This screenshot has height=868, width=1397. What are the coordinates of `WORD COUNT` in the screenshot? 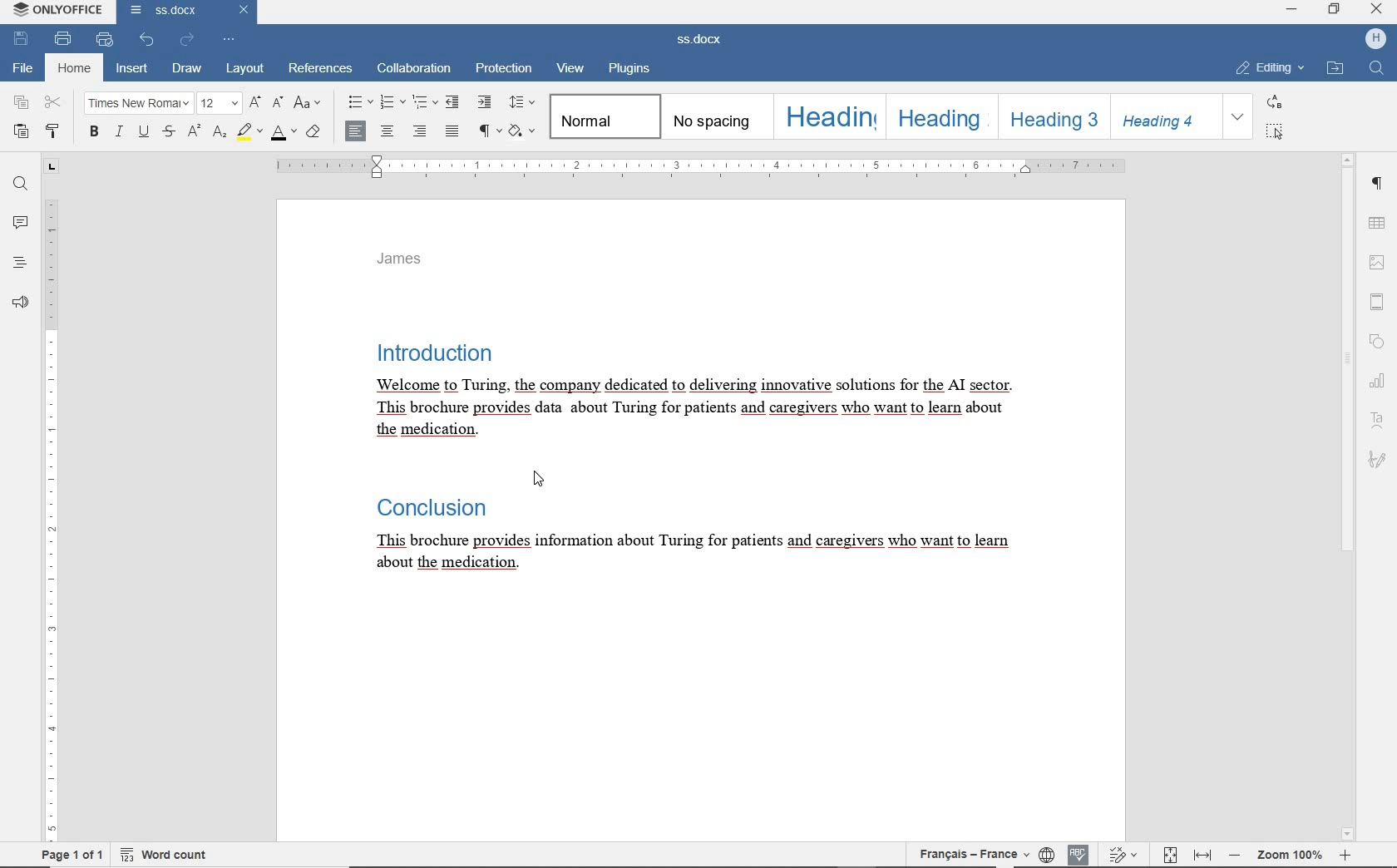 It's located at (171, 853).